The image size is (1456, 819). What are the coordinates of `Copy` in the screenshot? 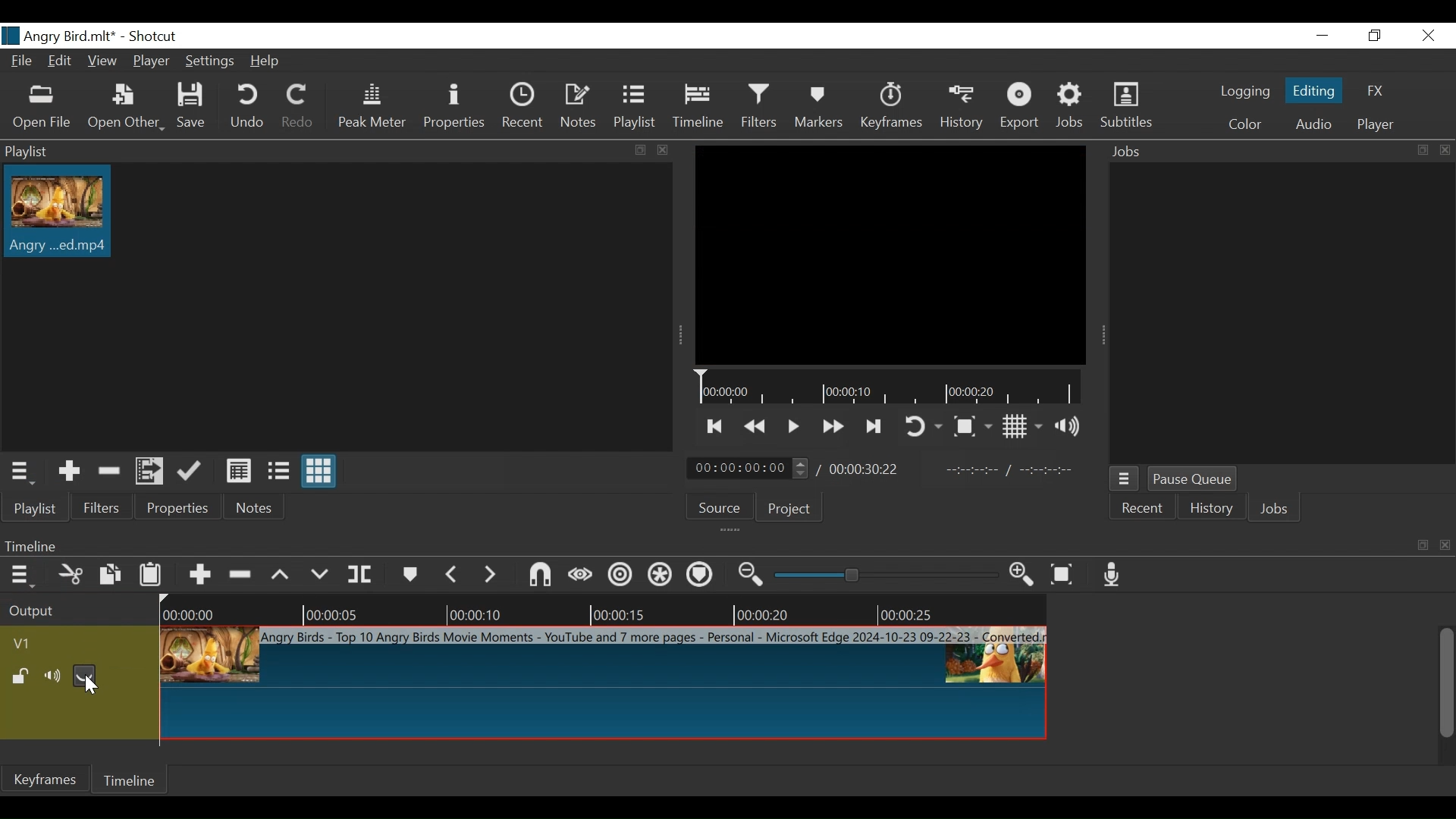 It's located at (110, 575).